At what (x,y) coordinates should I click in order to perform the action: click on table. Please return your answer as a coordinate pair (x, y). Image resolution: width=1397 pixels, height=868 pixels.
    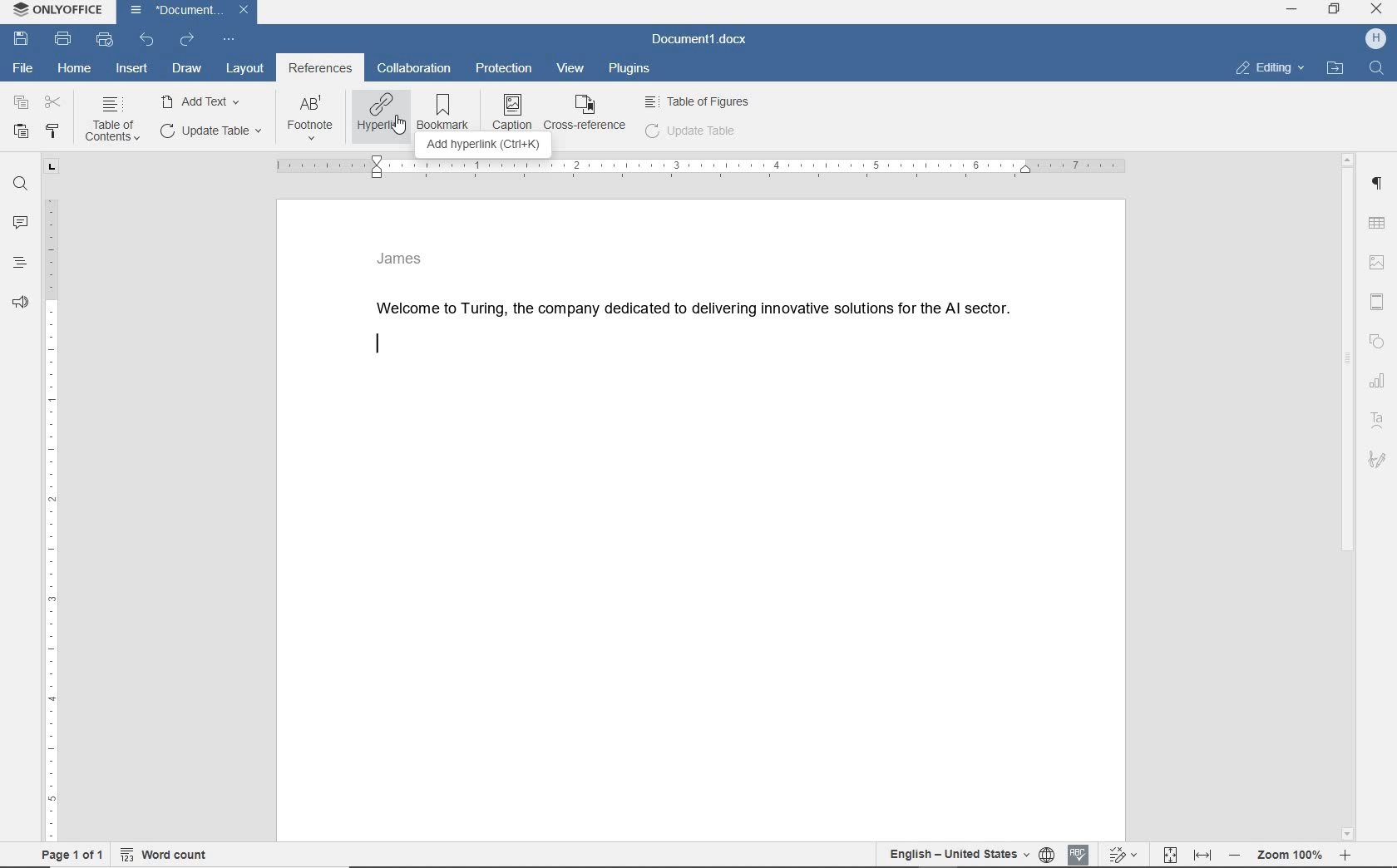
    Looking at the image, I should click on (1380, 222).